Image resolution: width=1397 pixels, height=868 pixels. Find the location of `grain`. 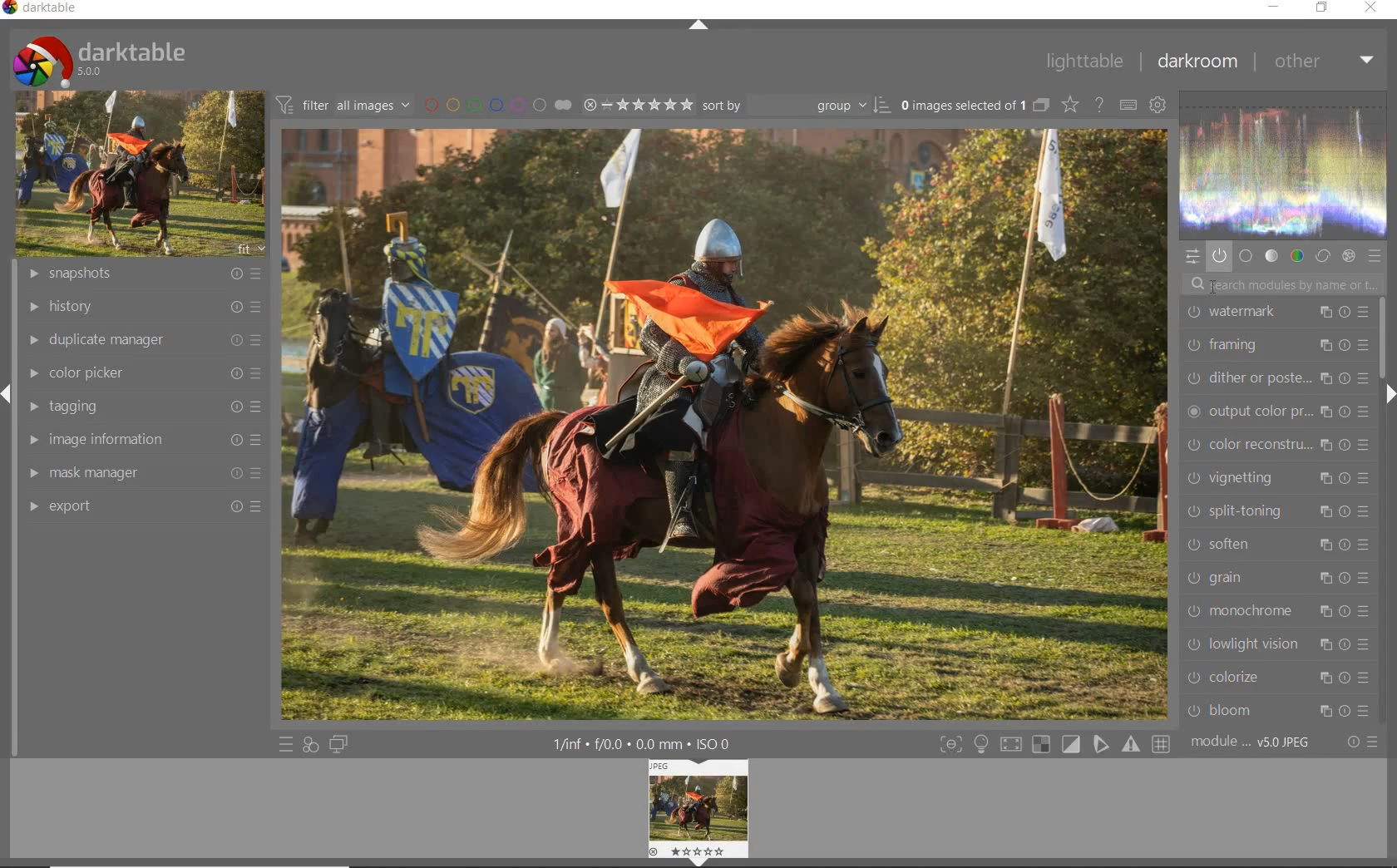

grain is located at coordinates (1277, 579).